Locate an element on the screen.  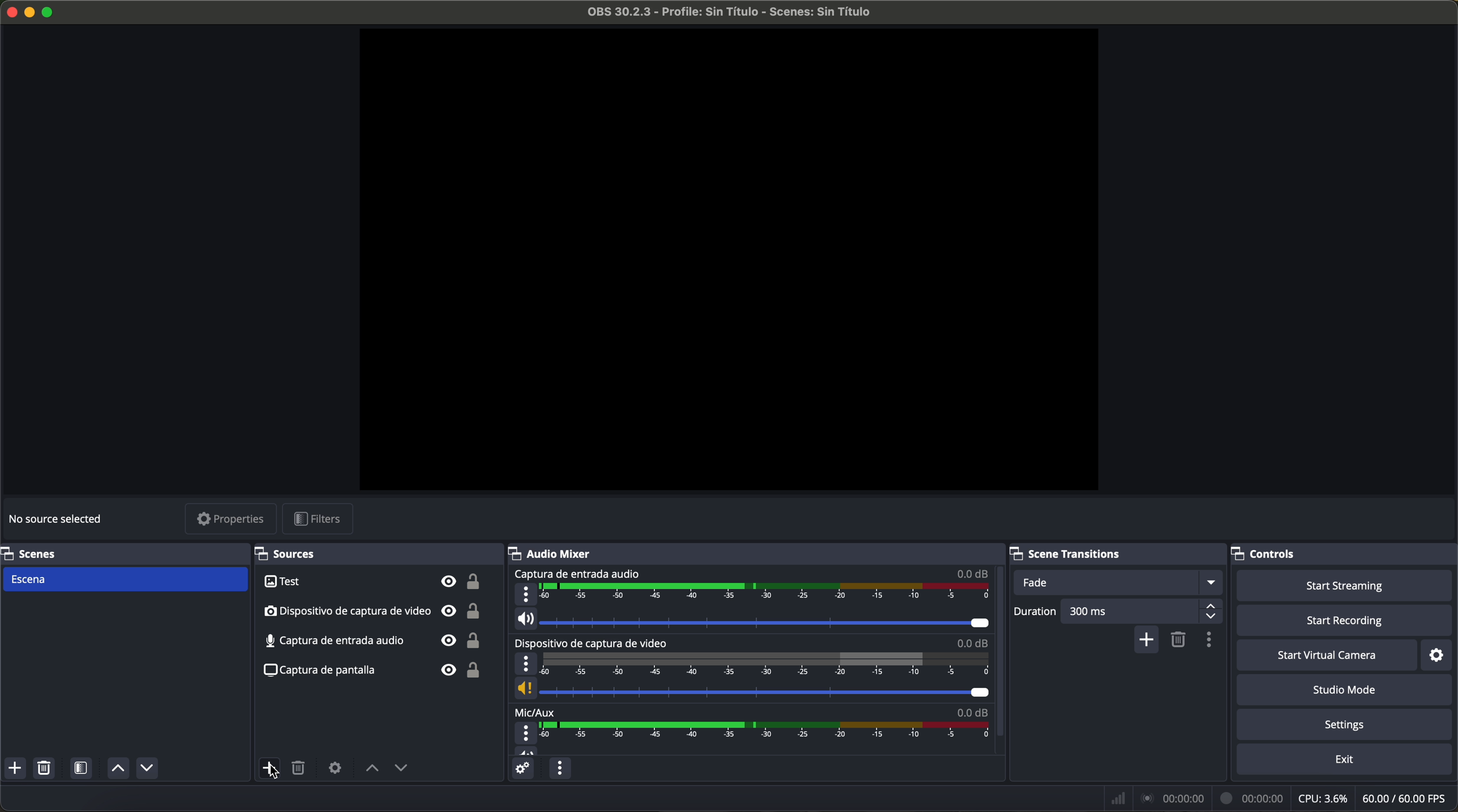
audio mixer is located at coordinates (556, 555).